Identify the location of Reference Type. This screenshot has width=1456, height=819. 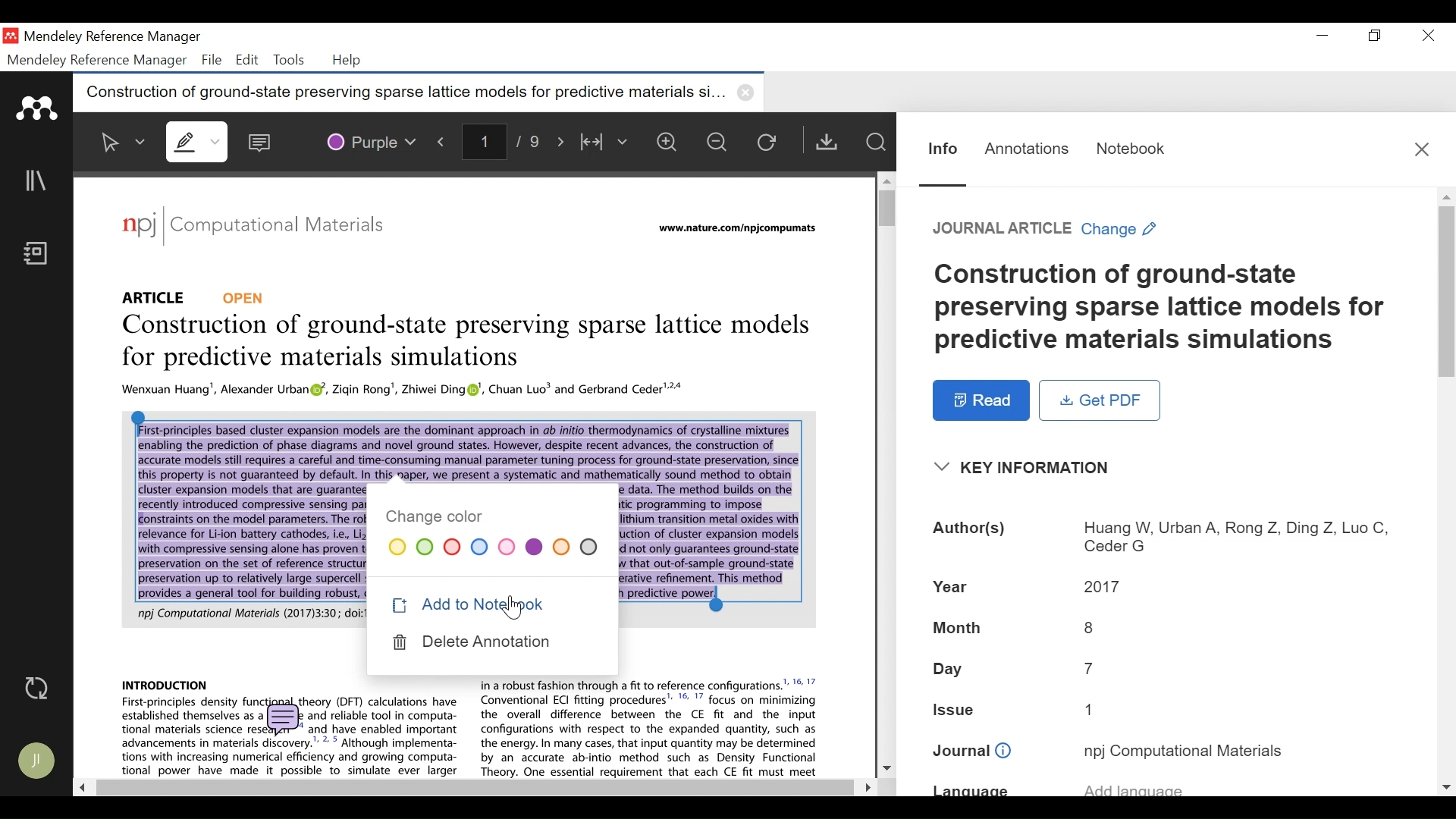
(195, 297).